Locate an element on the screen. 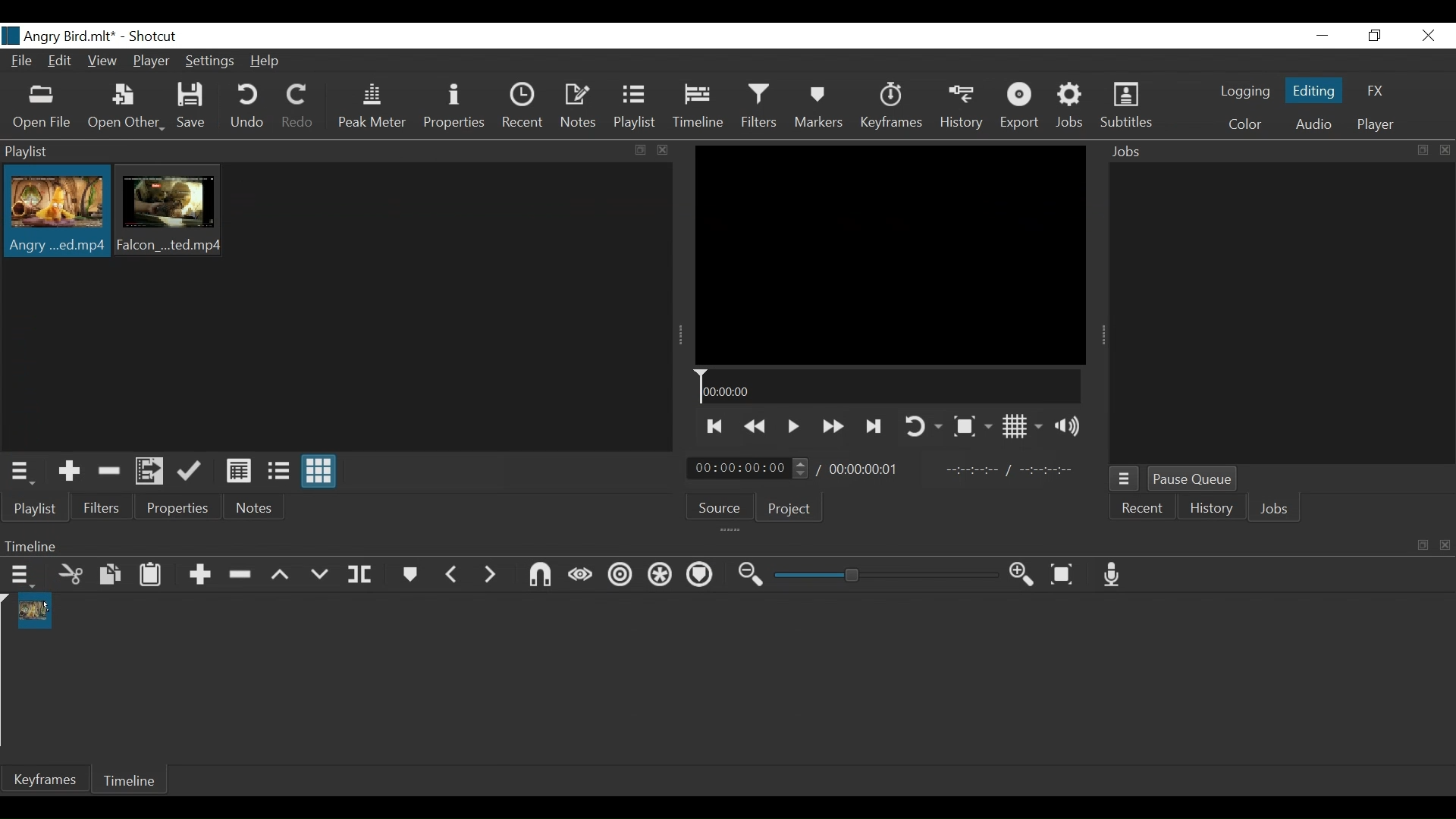 The width and height of the screenshot is (1456, 819). View as files is located at coordinates (279, 472).